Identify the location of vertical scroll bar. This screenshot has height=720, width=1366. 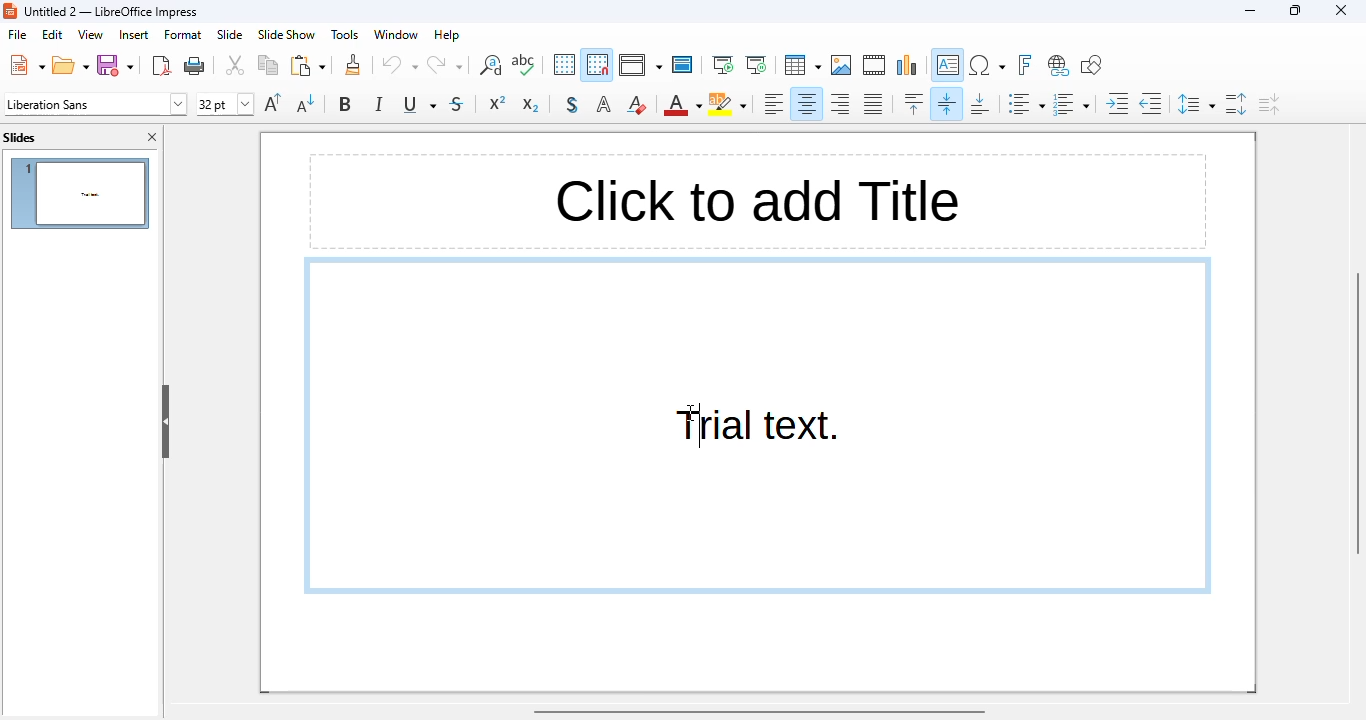
(1357, 413).